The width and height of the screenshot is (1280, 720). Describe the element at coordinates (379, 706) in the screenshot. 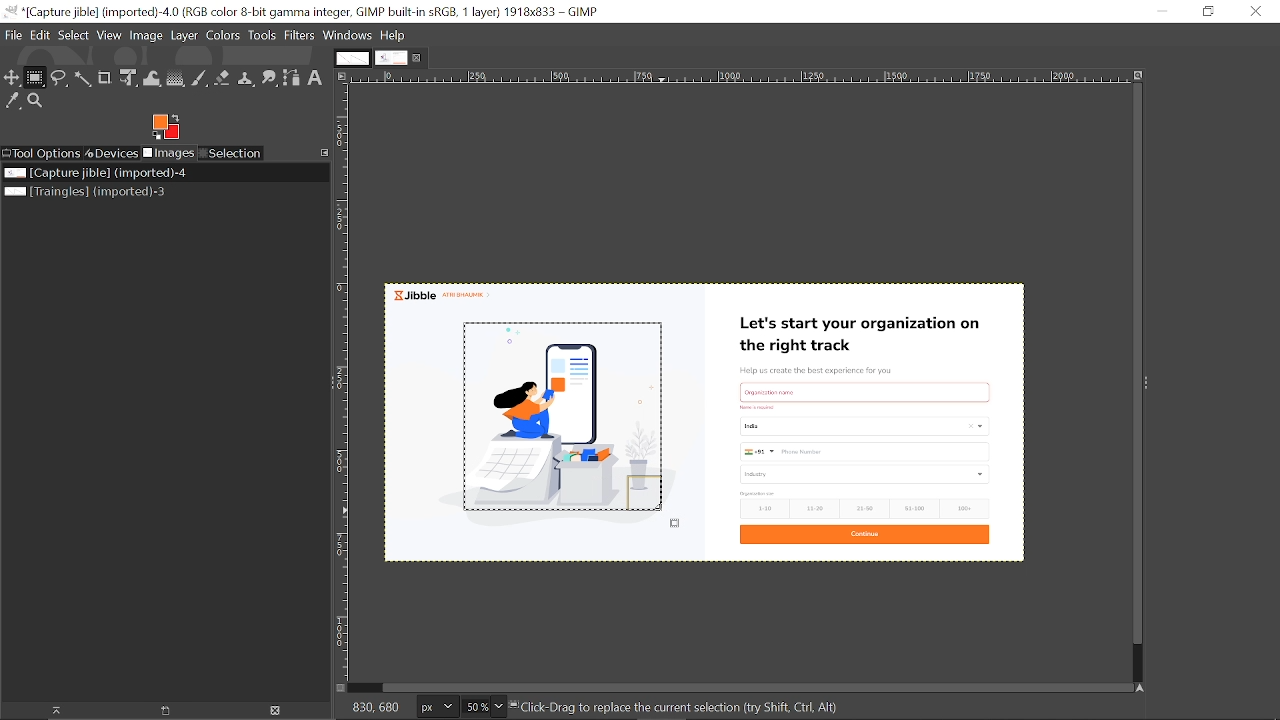

I see `830, 680` at that location.